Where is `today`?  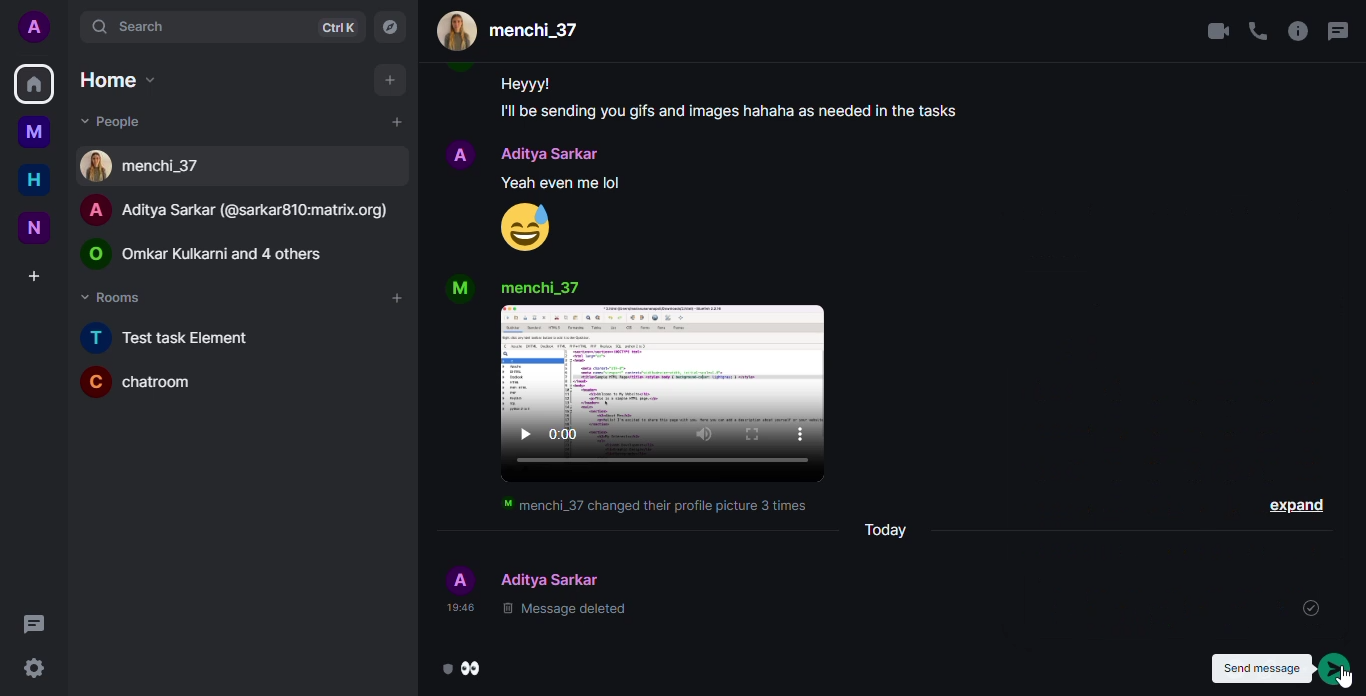 today is located at coordinates (886, 529).